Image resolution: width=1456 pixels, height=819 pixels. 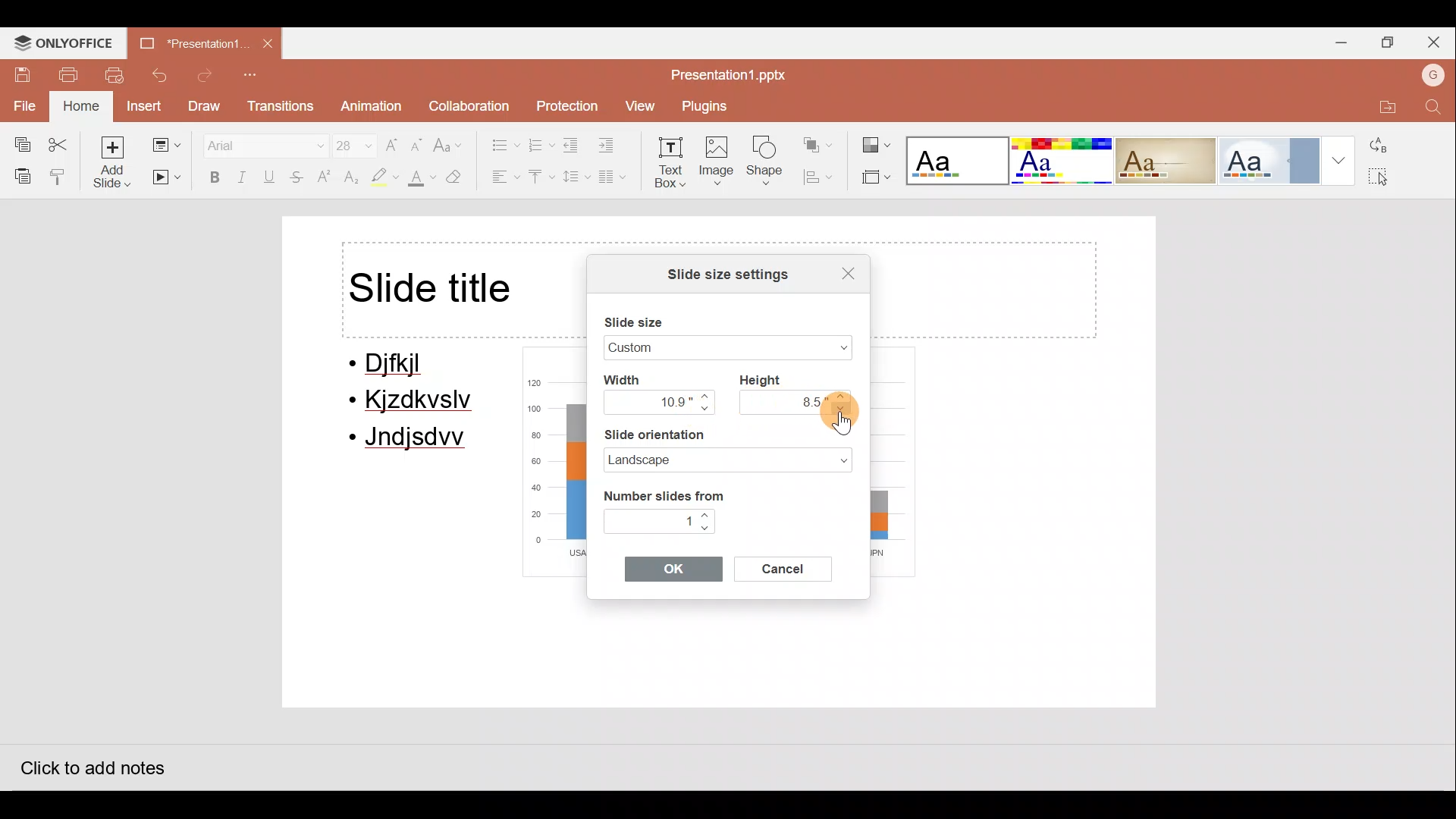 What do you see at coordinates (705, 395) in the screenshot?
I see `Navigate up` at bounding box center [705, 395].